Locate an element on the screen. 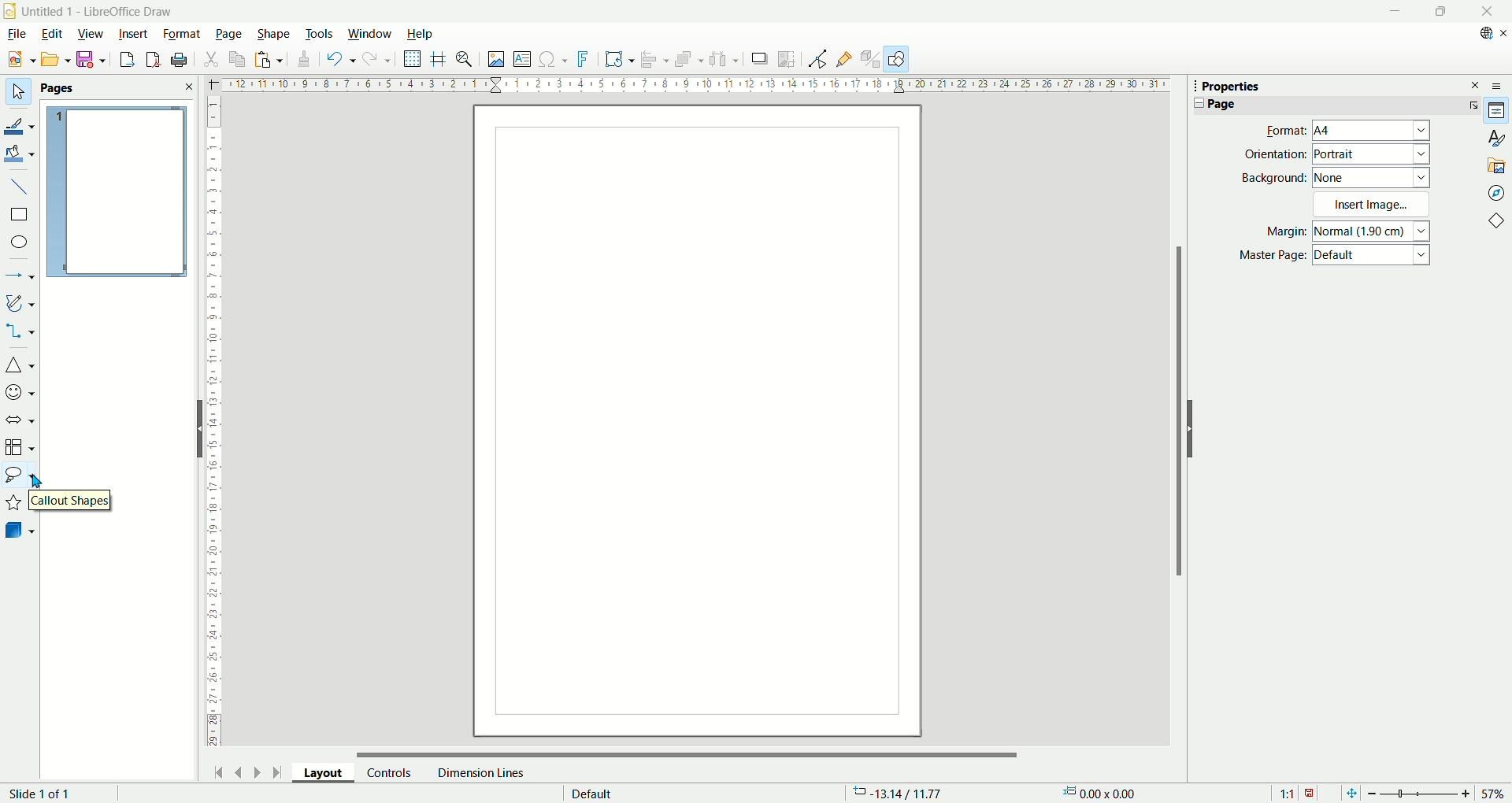 This screenshot has width=1512, height=803. help is located at coordinates (419, 34).